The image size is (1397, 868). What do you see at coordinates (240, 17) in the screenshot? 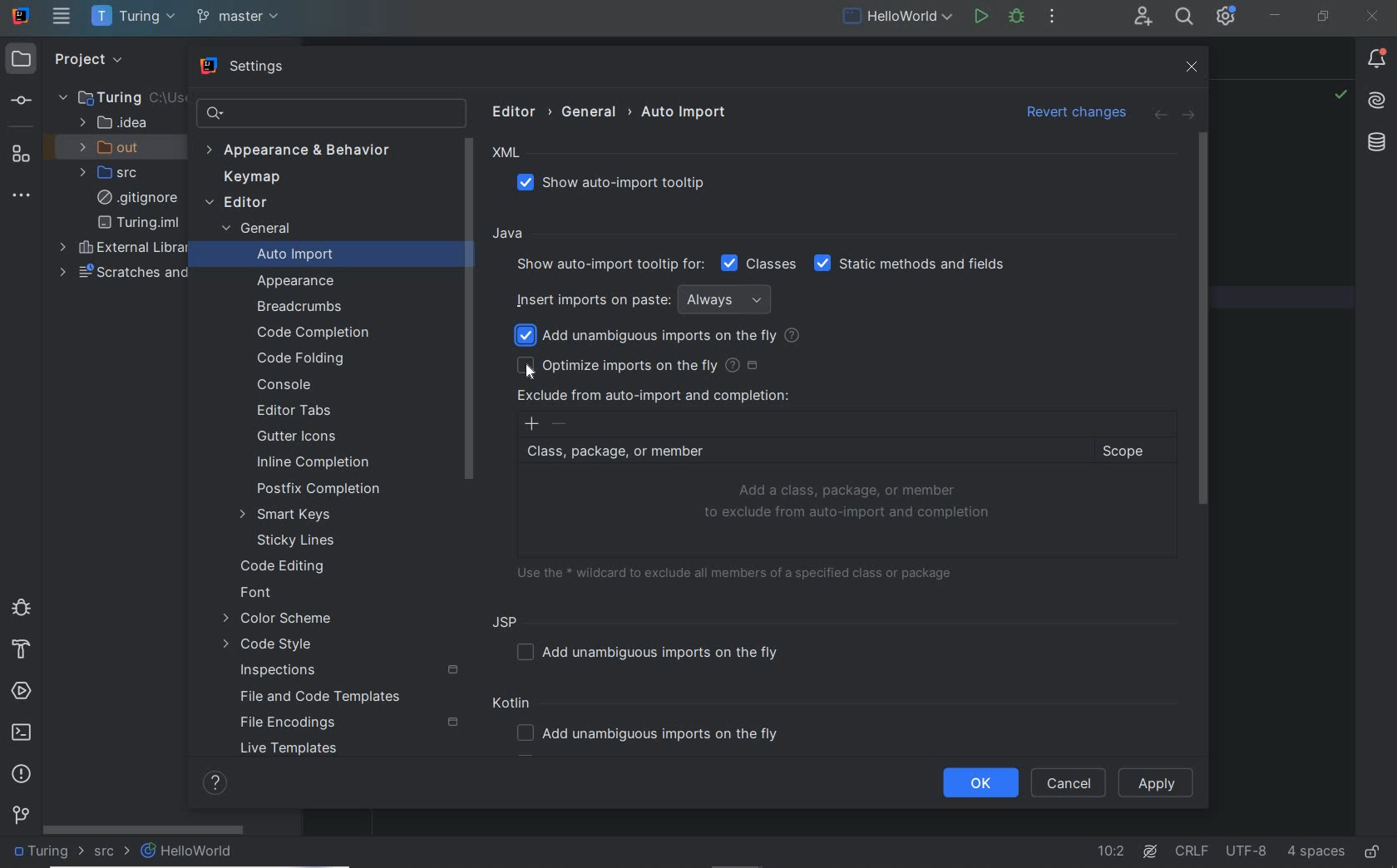
I see `git branch: master` at bounding box center [240, 17].